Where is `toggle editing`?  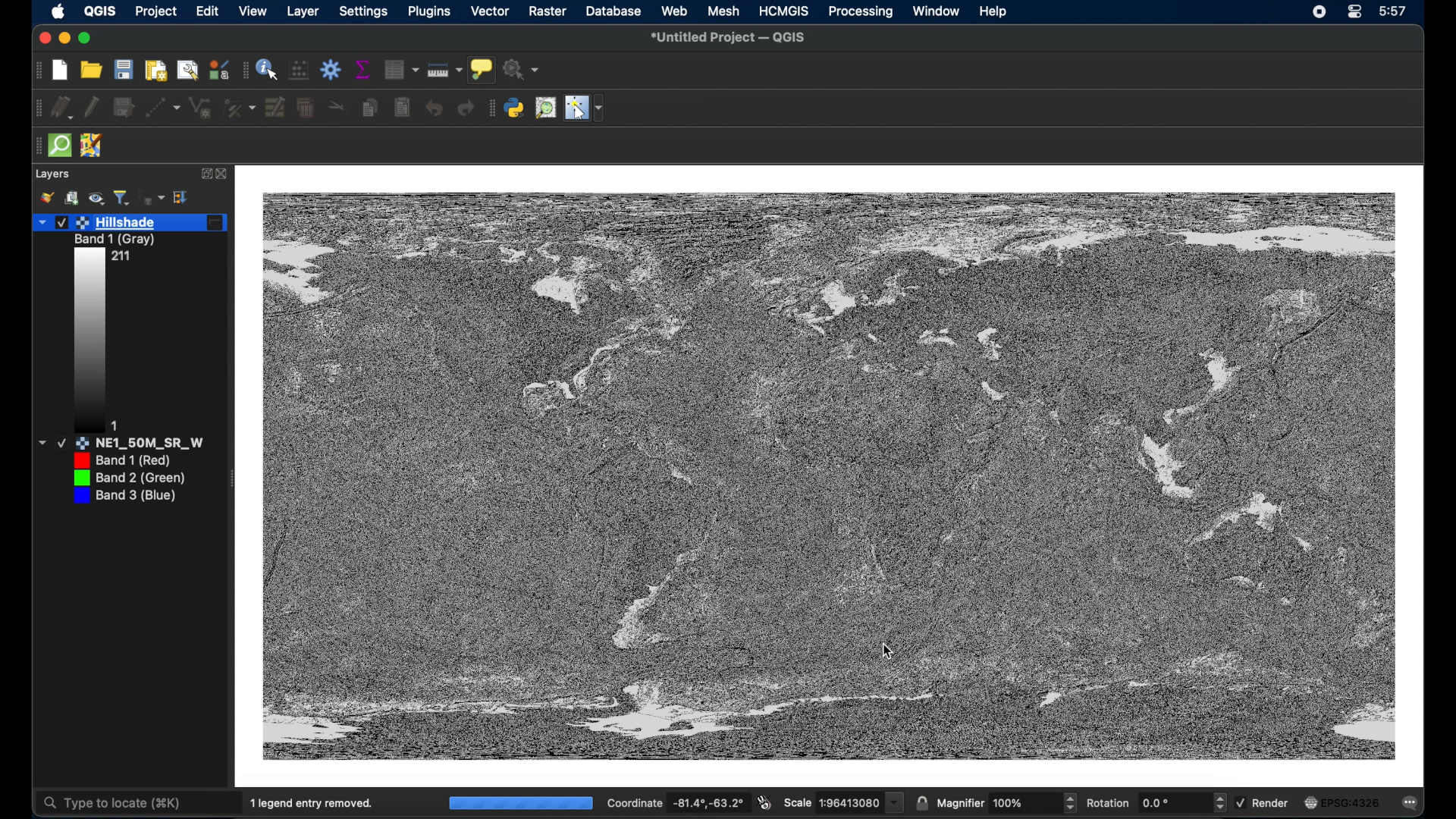 toggle editing is located at coordinates (92, 107).